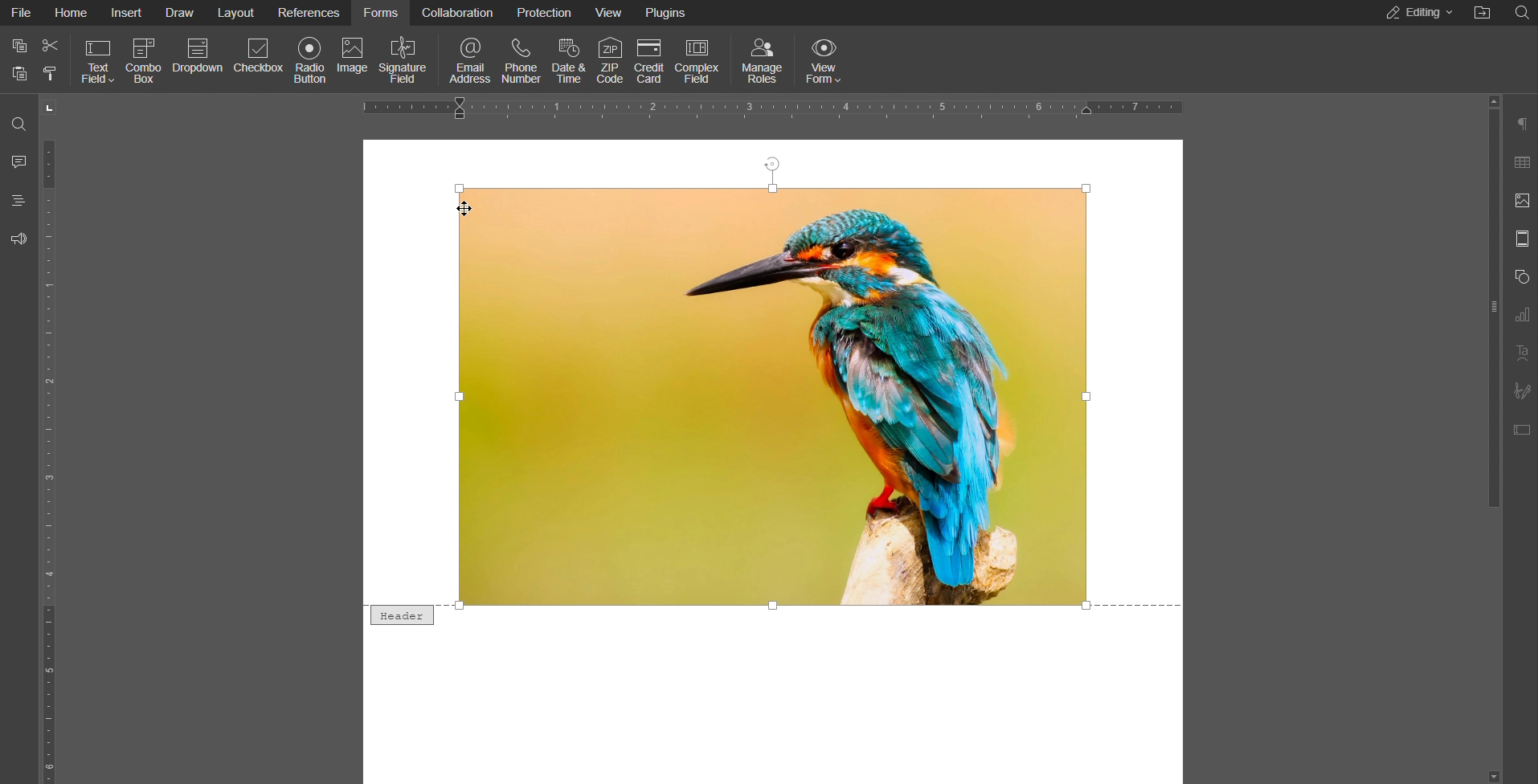  What do you see at coordinates (18, 161) in the screenshot?
I see `Comments` at bounding box center [18, 161].